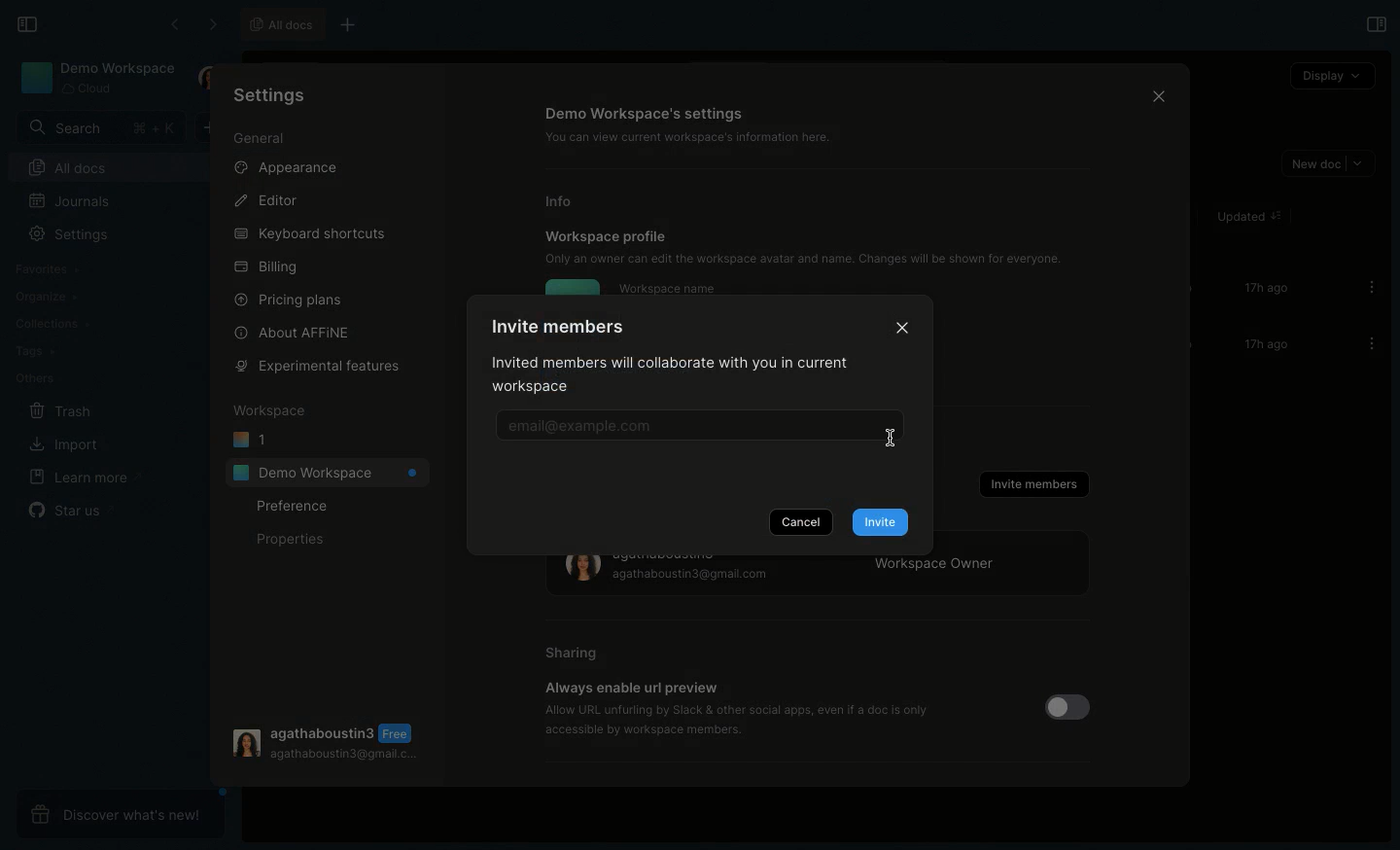  Describe the element at coordinates (214, 128) in the screenshot. I see `New doc` at that location.